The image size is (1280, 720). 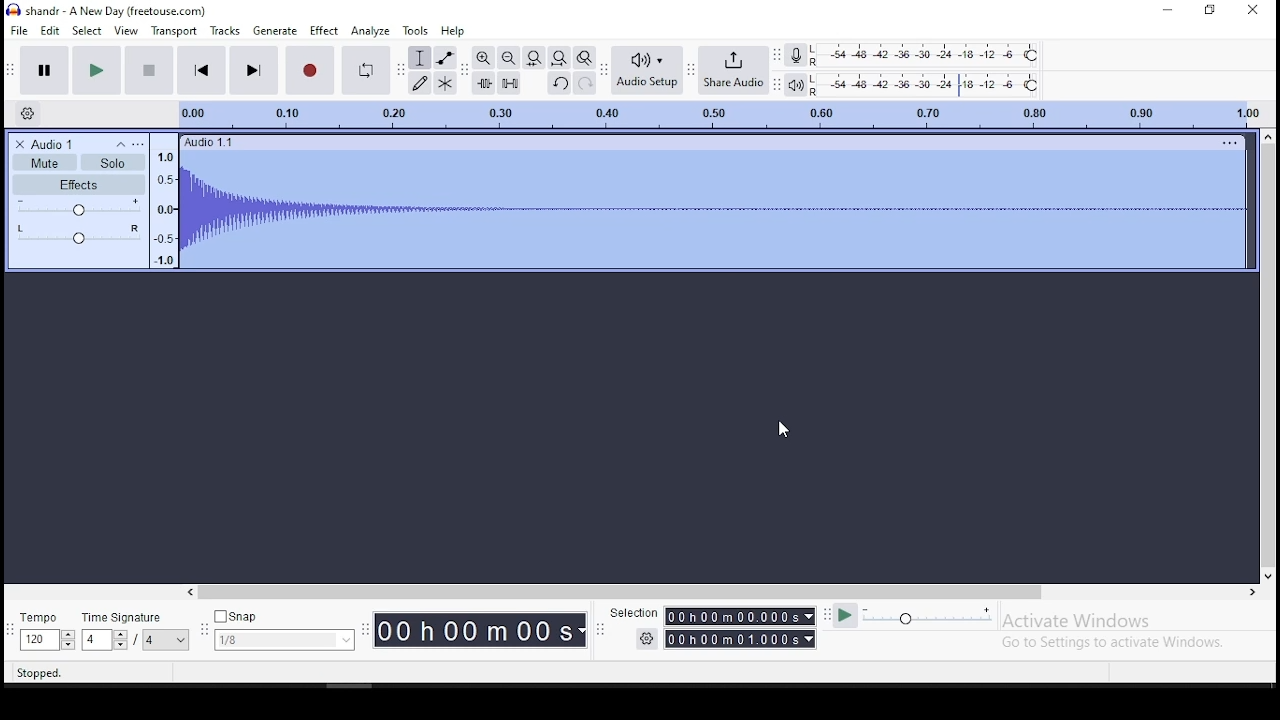 I want to click on scroll bar, so click(x=1267, y=354).